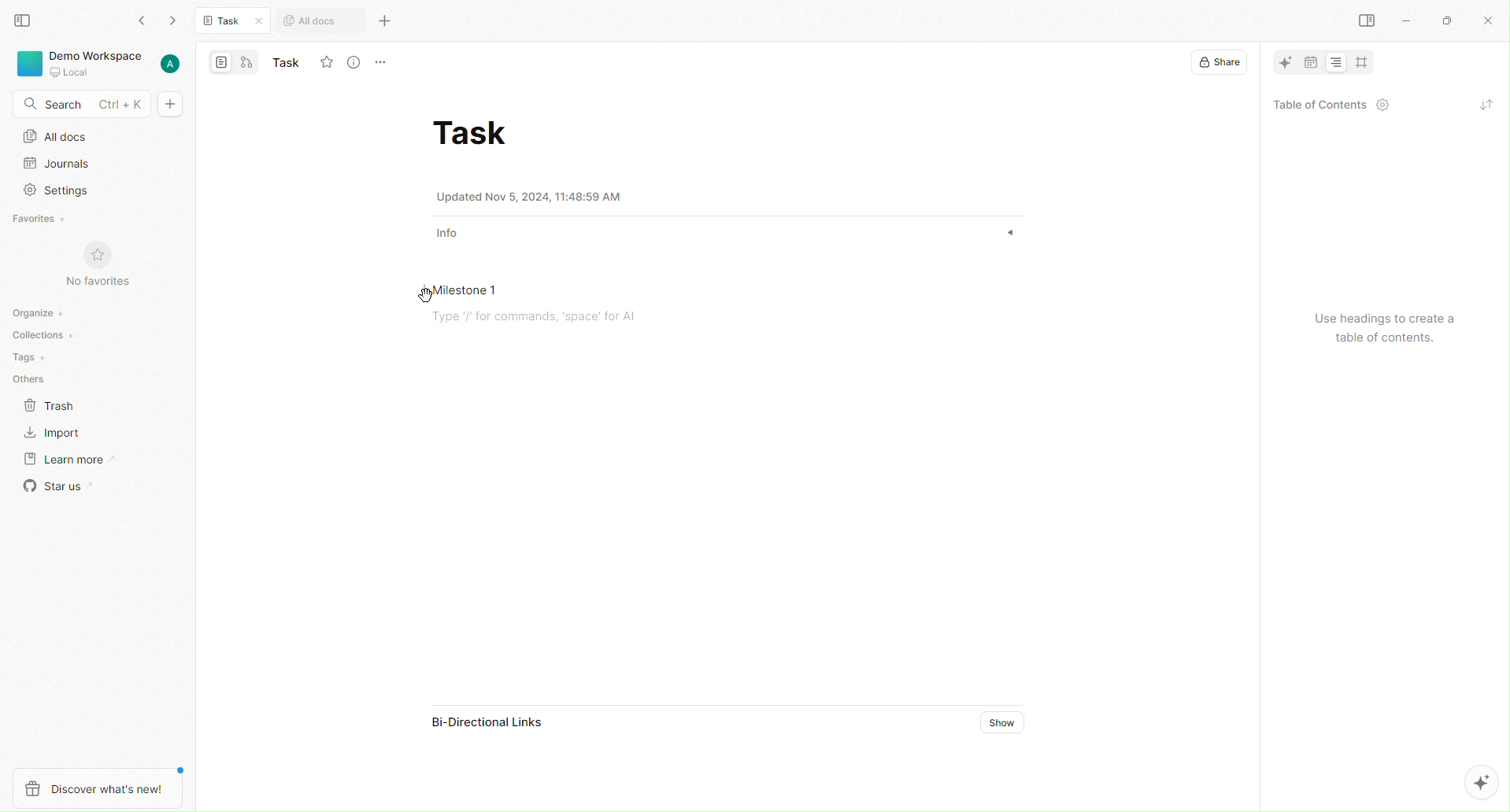 This screenshot has width=1510, height=812. What do you see at coordinates (1380, 327) in the screenshot?
I see `Use headings to create a
table of contents.` at bounding box center [1380, 327].